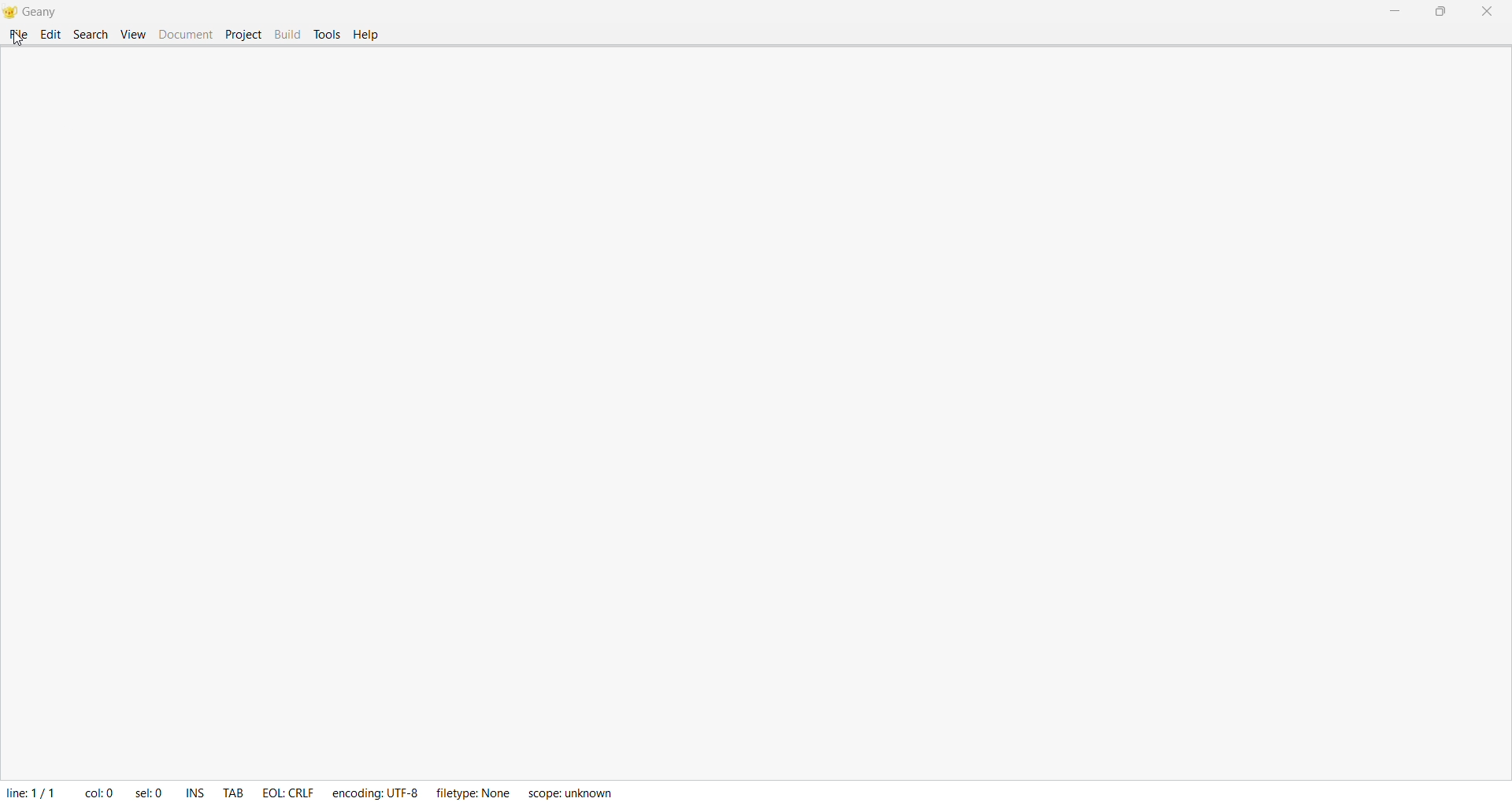 This screenshot has width=1512, height=802. What do you see at coordinates (476, 793) in the screenshot?
I see `filetype: None` at bounding box center [476, 793].